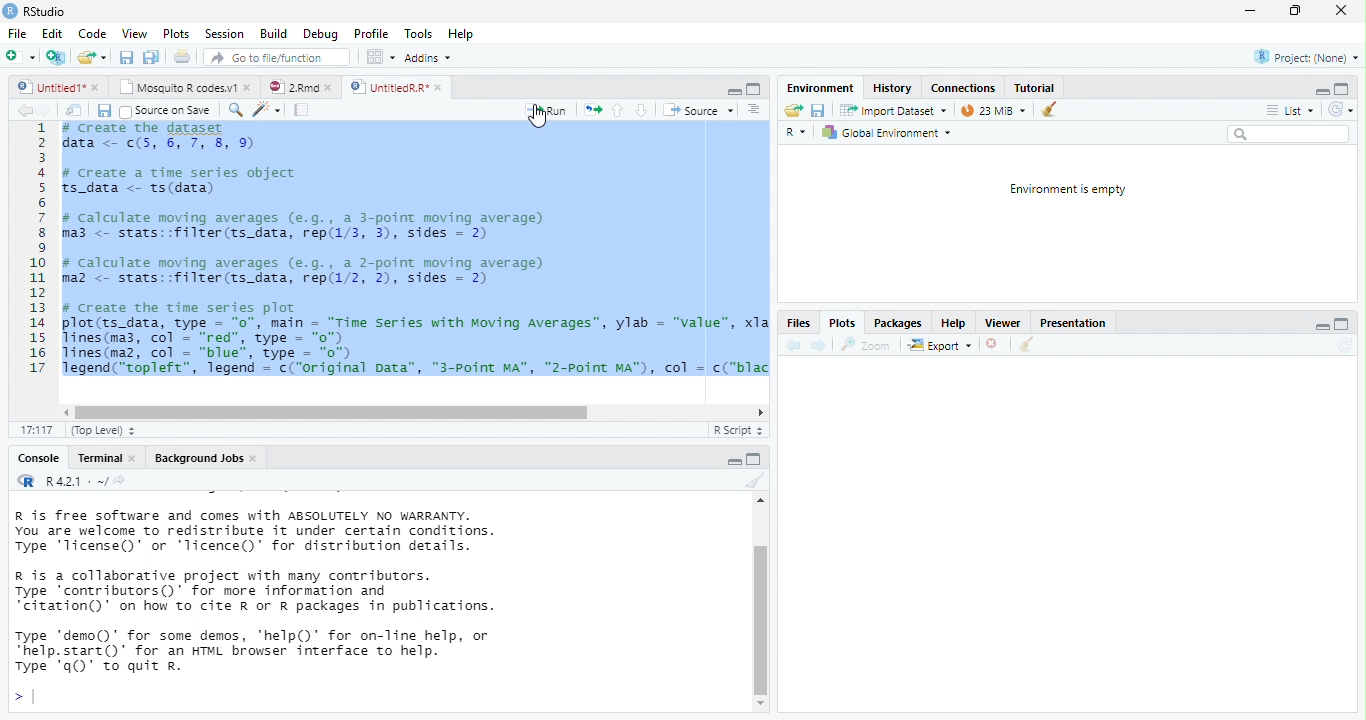  I want to click on Environment is empty., so click(1067, 190).